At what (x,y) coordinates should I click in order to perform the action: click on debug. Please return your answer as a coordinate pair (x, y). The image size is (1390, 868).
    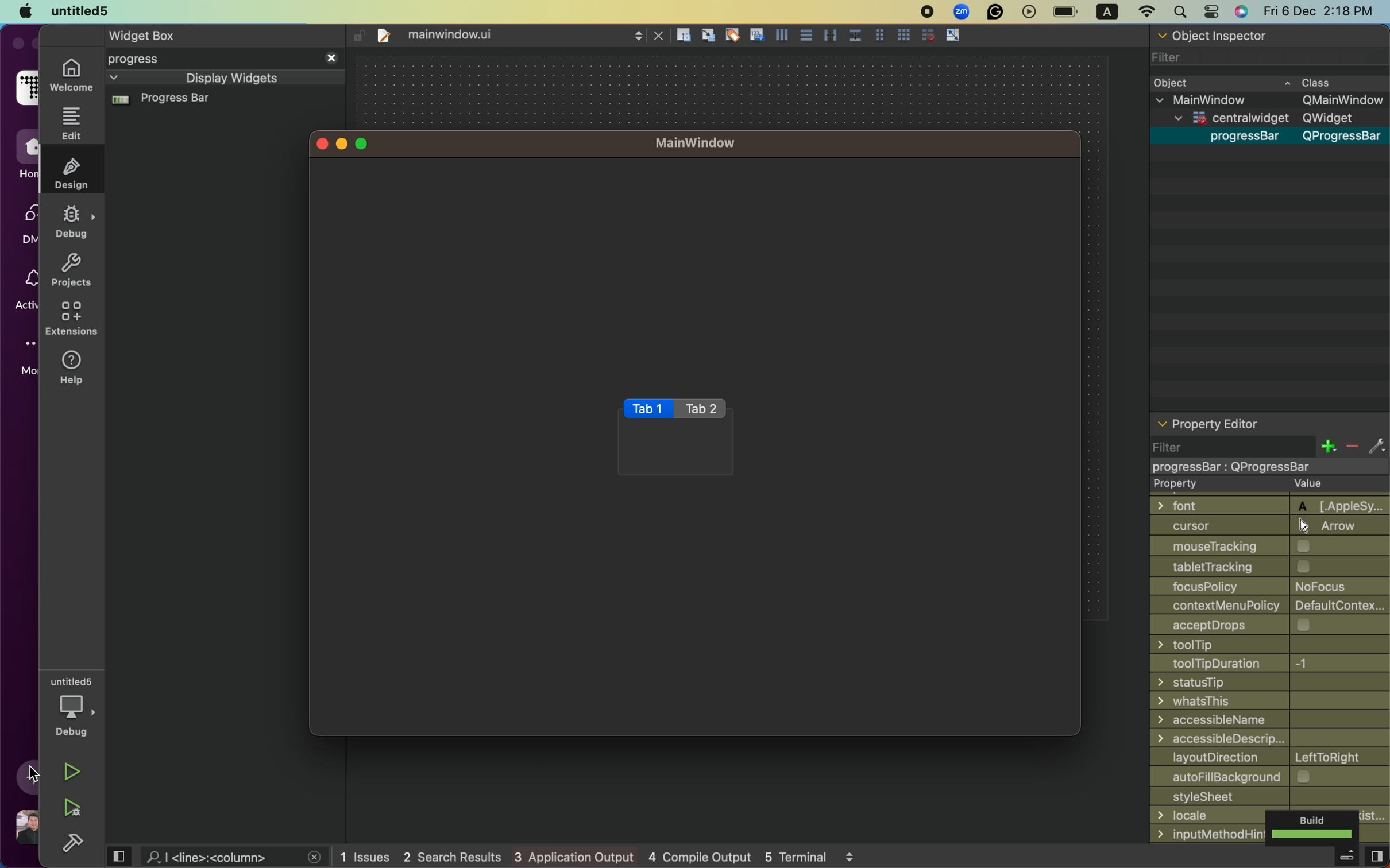
    Looking at the image, I should click on (70, 706).